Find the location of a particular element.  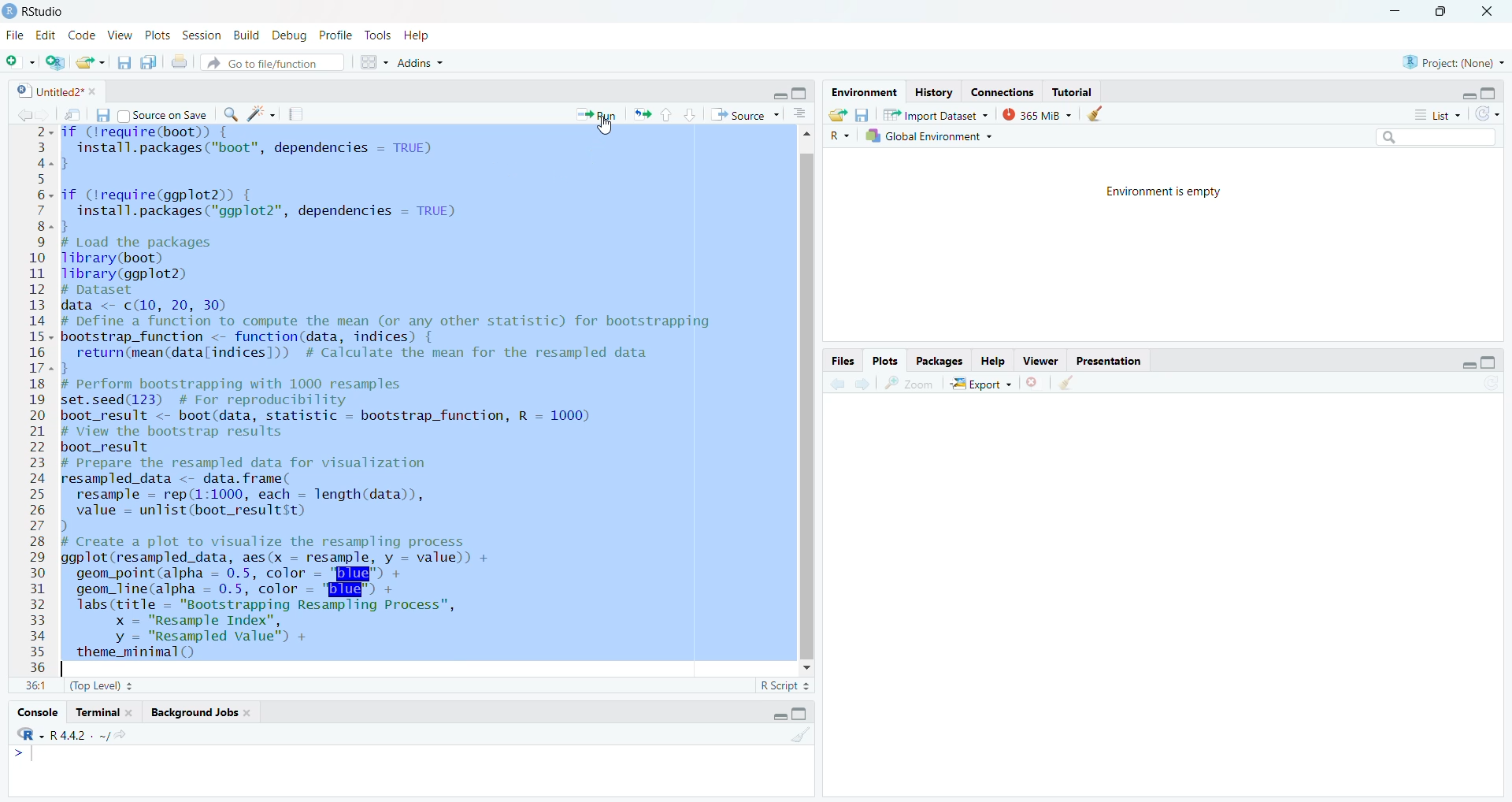

hide r script is located at coordinates (772, 94).